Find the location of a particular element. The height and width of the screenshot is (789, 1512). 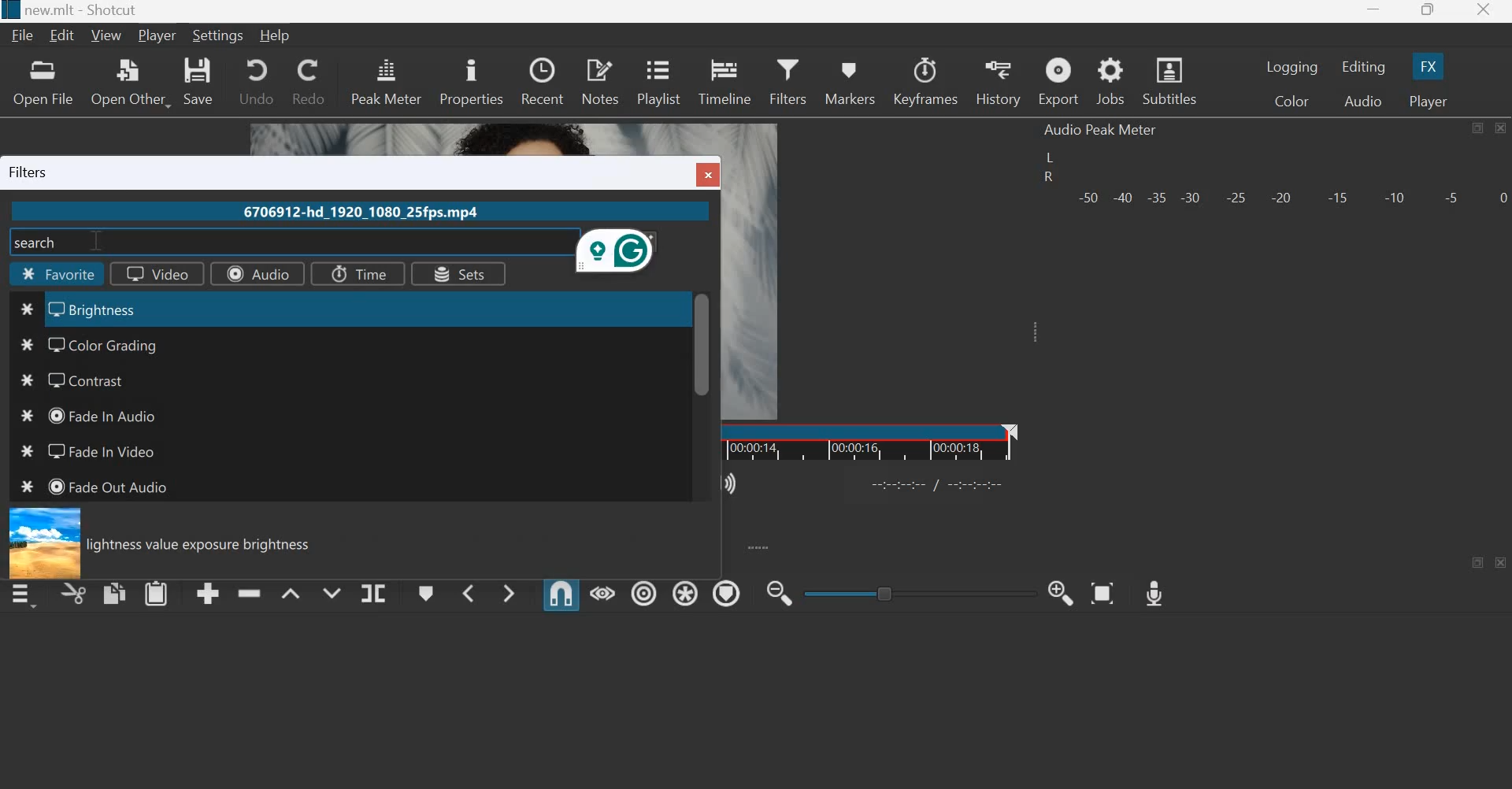

Time is located at coordinates (355, 272).